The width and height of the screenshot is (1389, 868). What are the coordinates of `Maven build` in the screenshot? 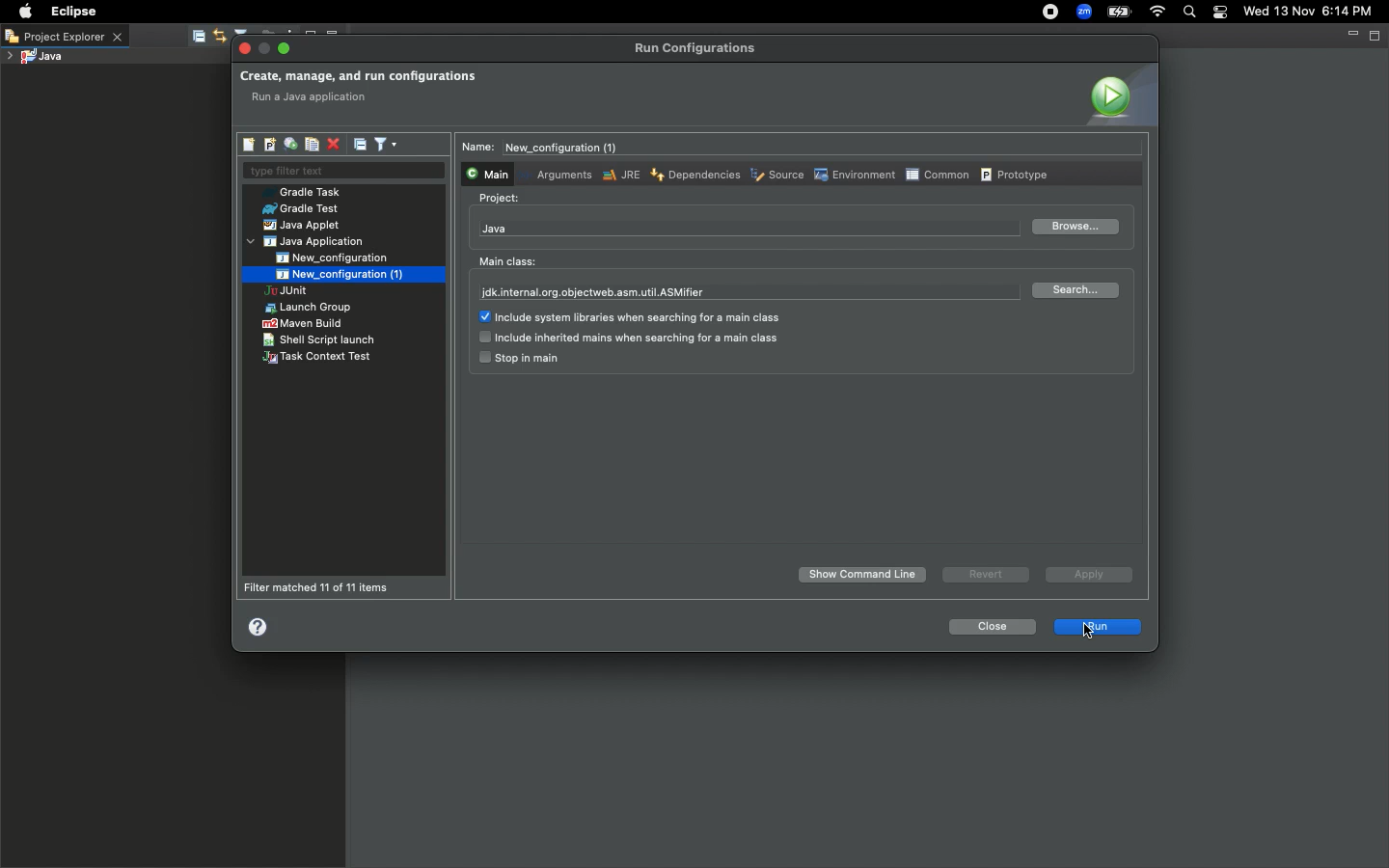 It's located at (302, 323).